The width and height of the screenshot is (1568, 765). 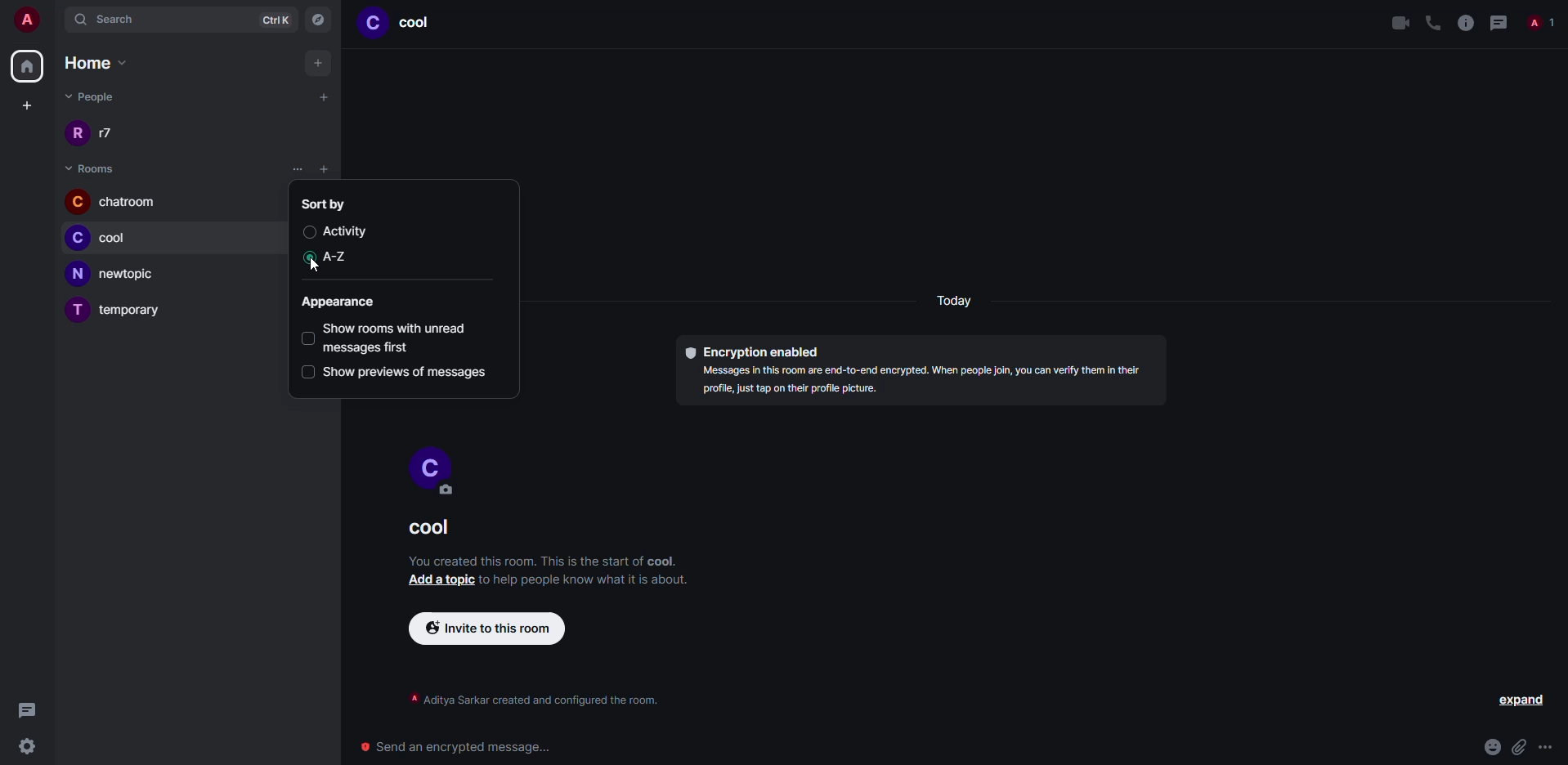 I want to click on day, so click(x=961, y=302).